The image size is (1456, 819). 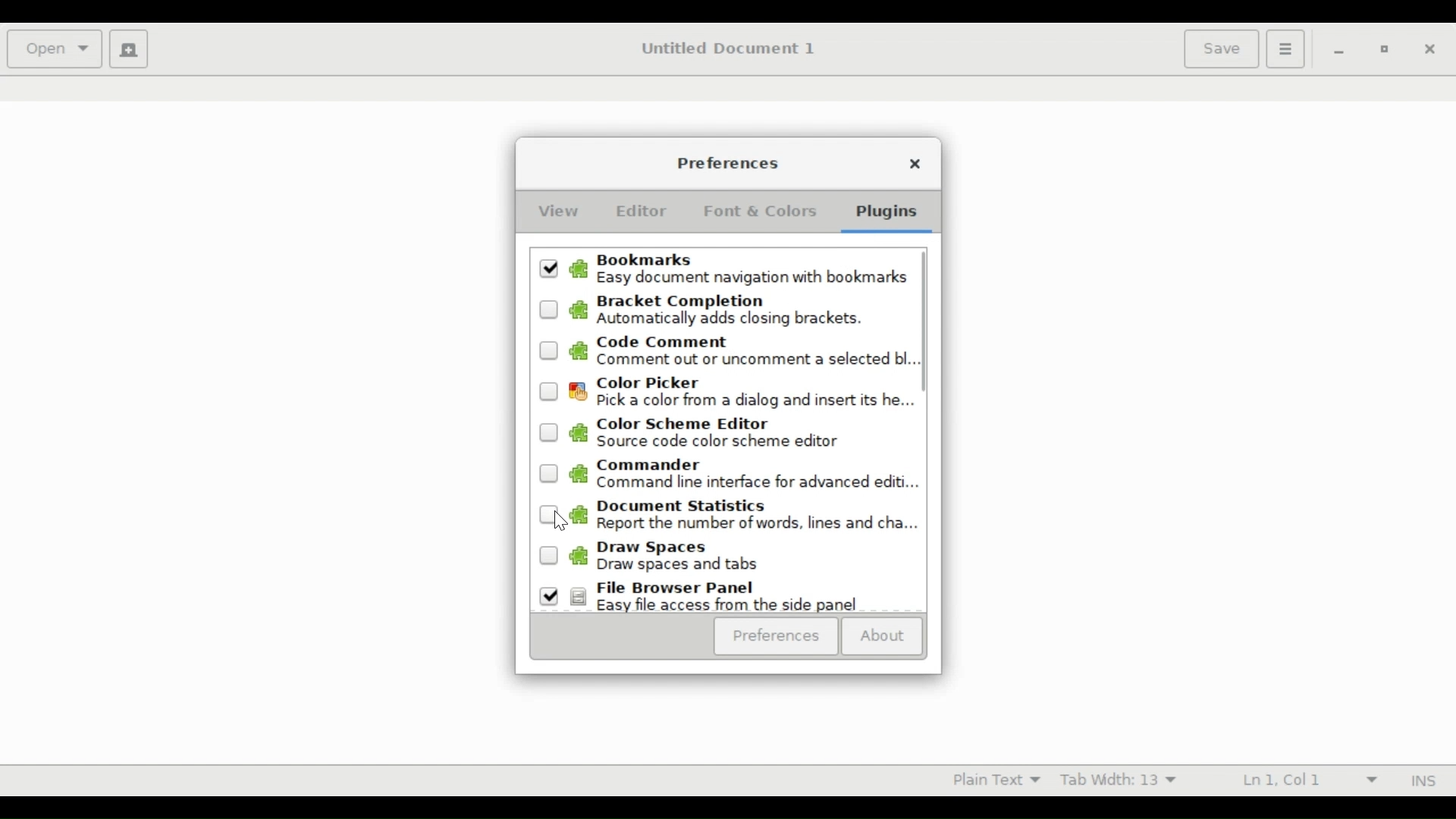 I want to click on Open, so click(x=53, y=49).